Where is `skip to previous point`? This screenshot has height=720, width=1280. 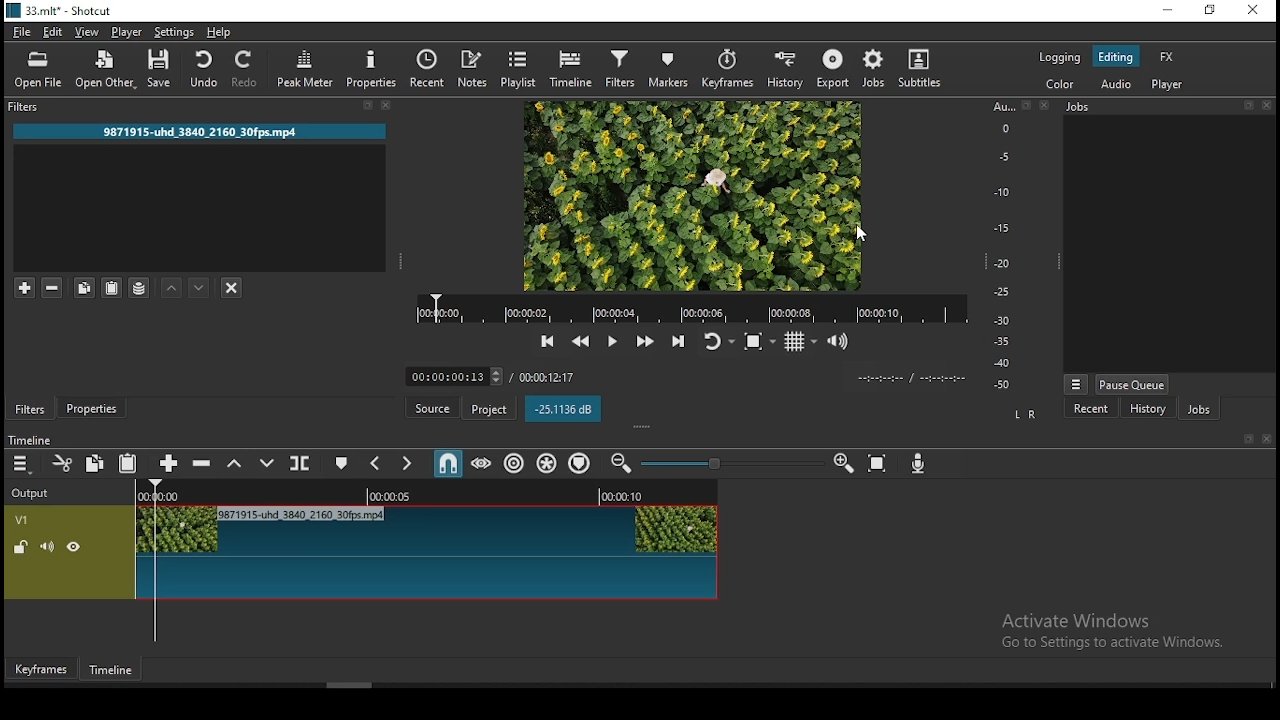 skip to previous point is located at coordinates (547, 341).